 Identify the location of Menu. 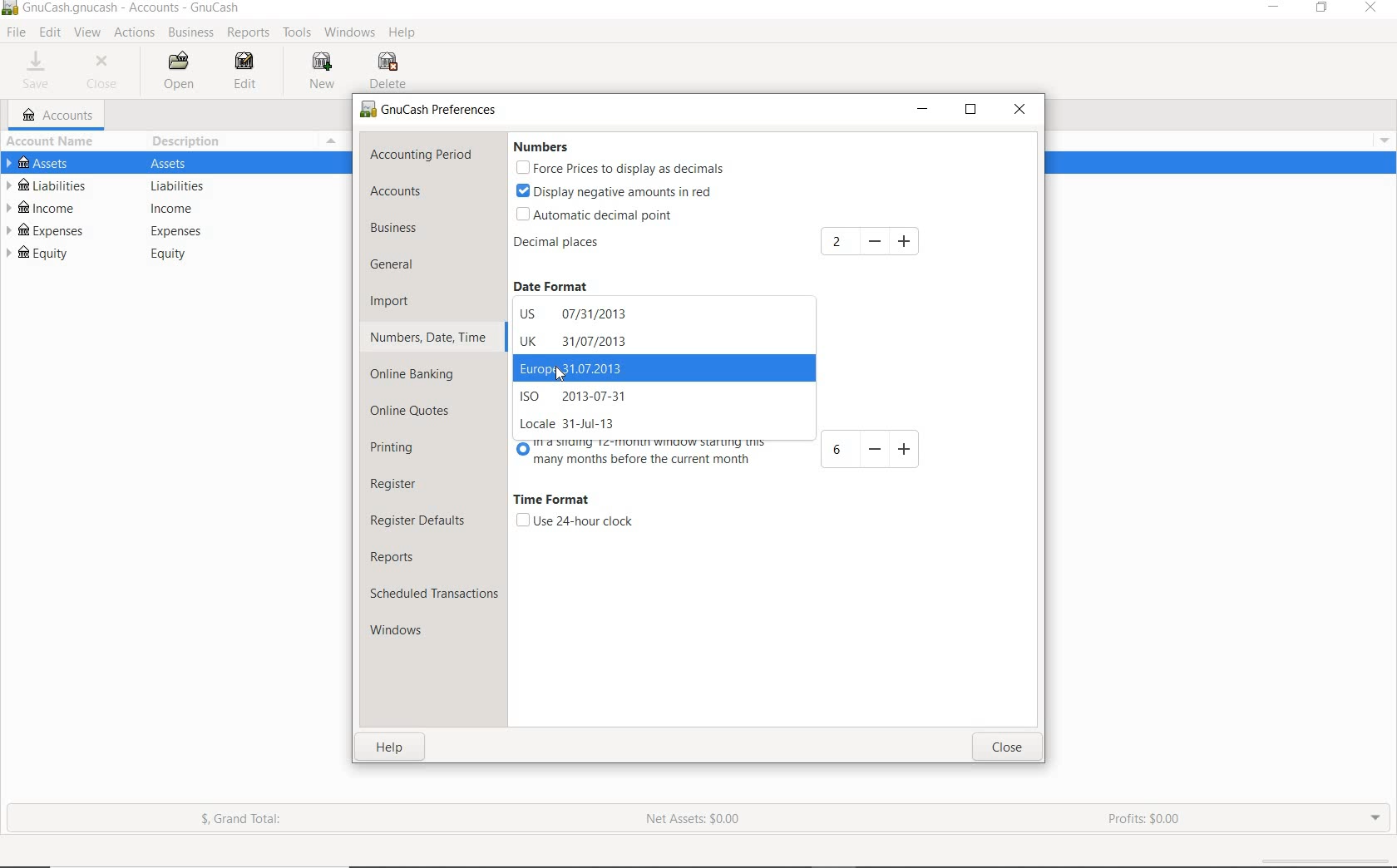
(1380, 139).